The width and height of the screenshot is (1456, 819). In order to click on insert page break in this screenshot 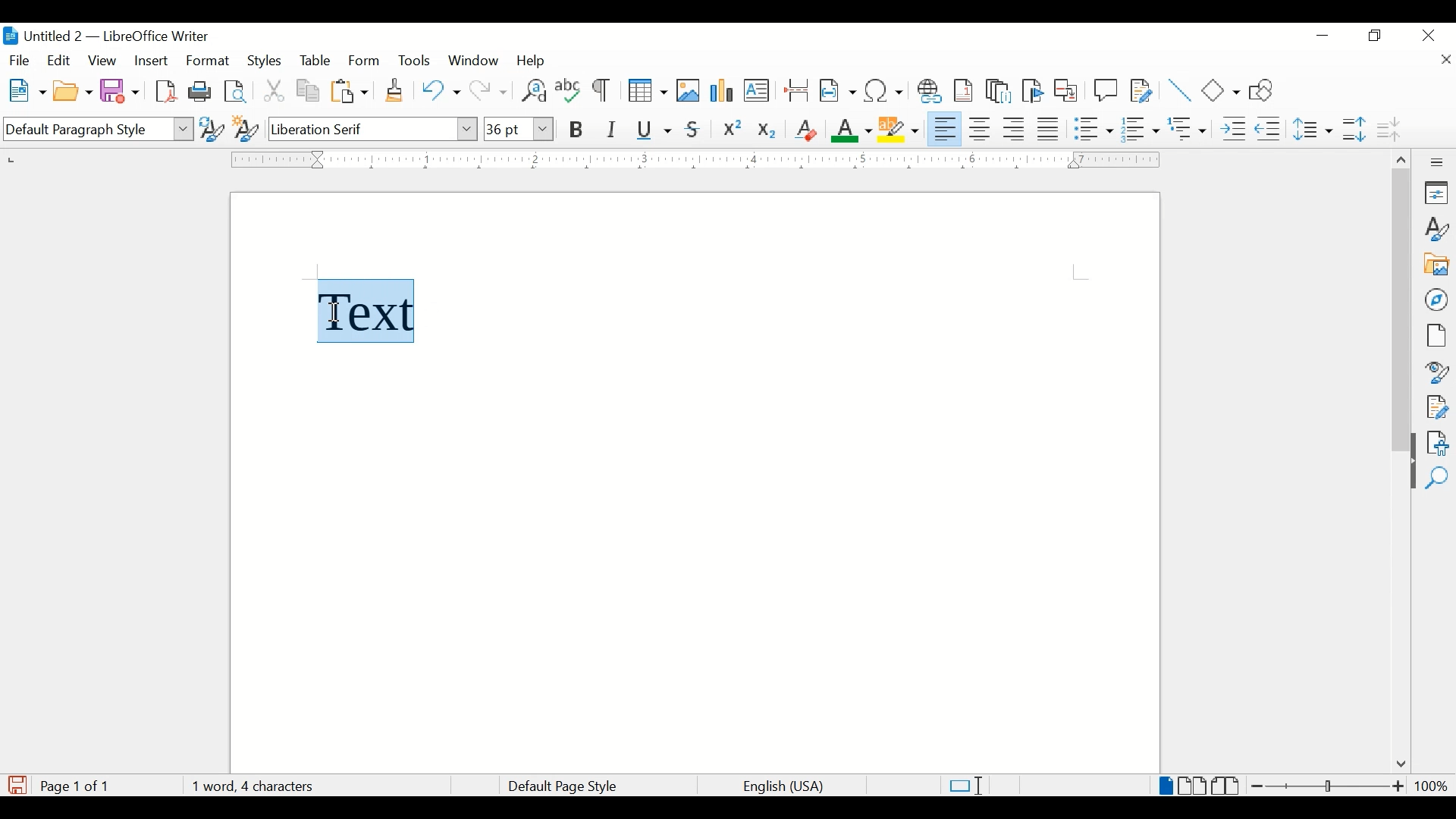, I will do `click(796, 89)`.